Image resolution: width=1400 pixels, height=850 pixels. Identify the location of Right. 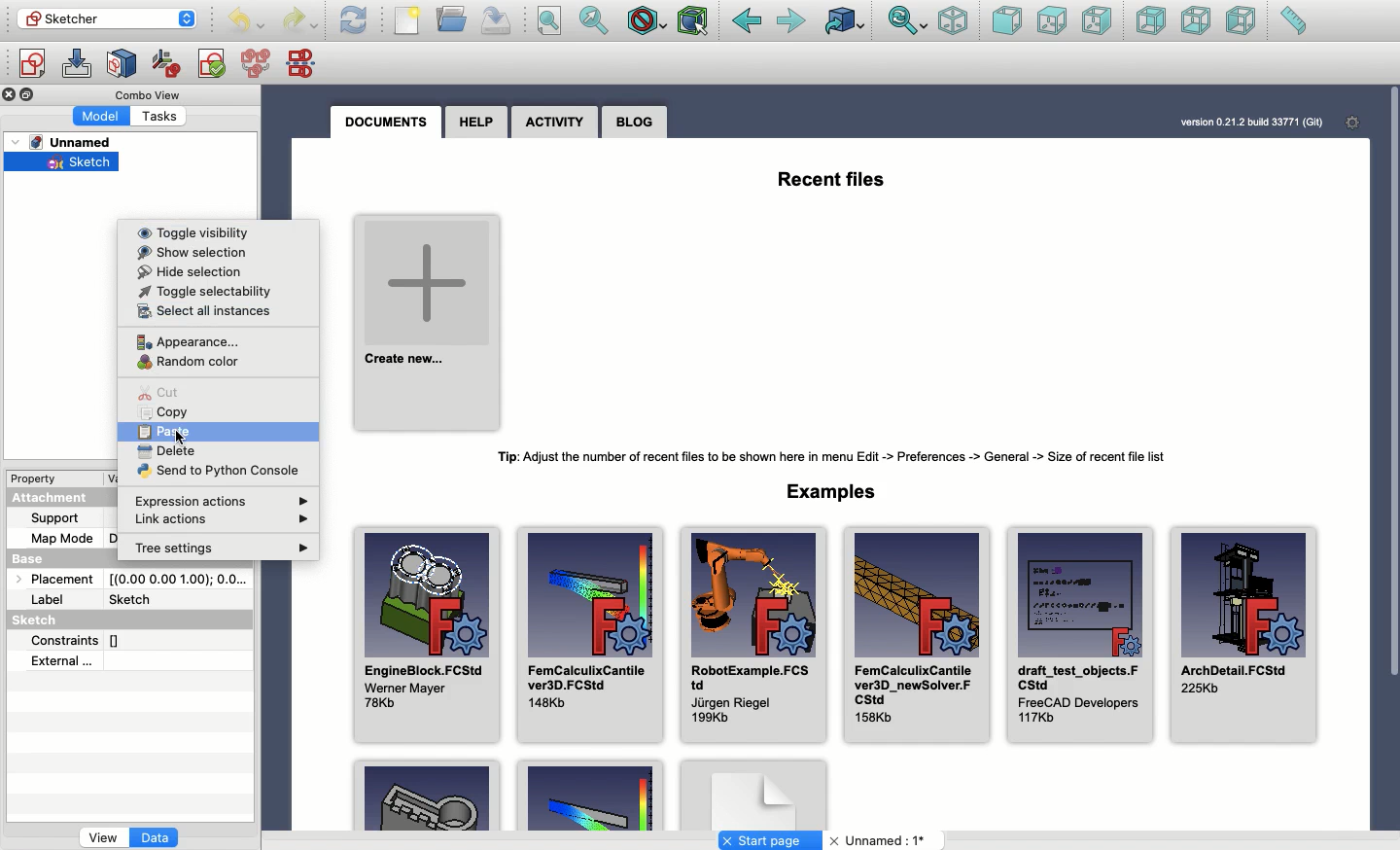
(1096, 20).